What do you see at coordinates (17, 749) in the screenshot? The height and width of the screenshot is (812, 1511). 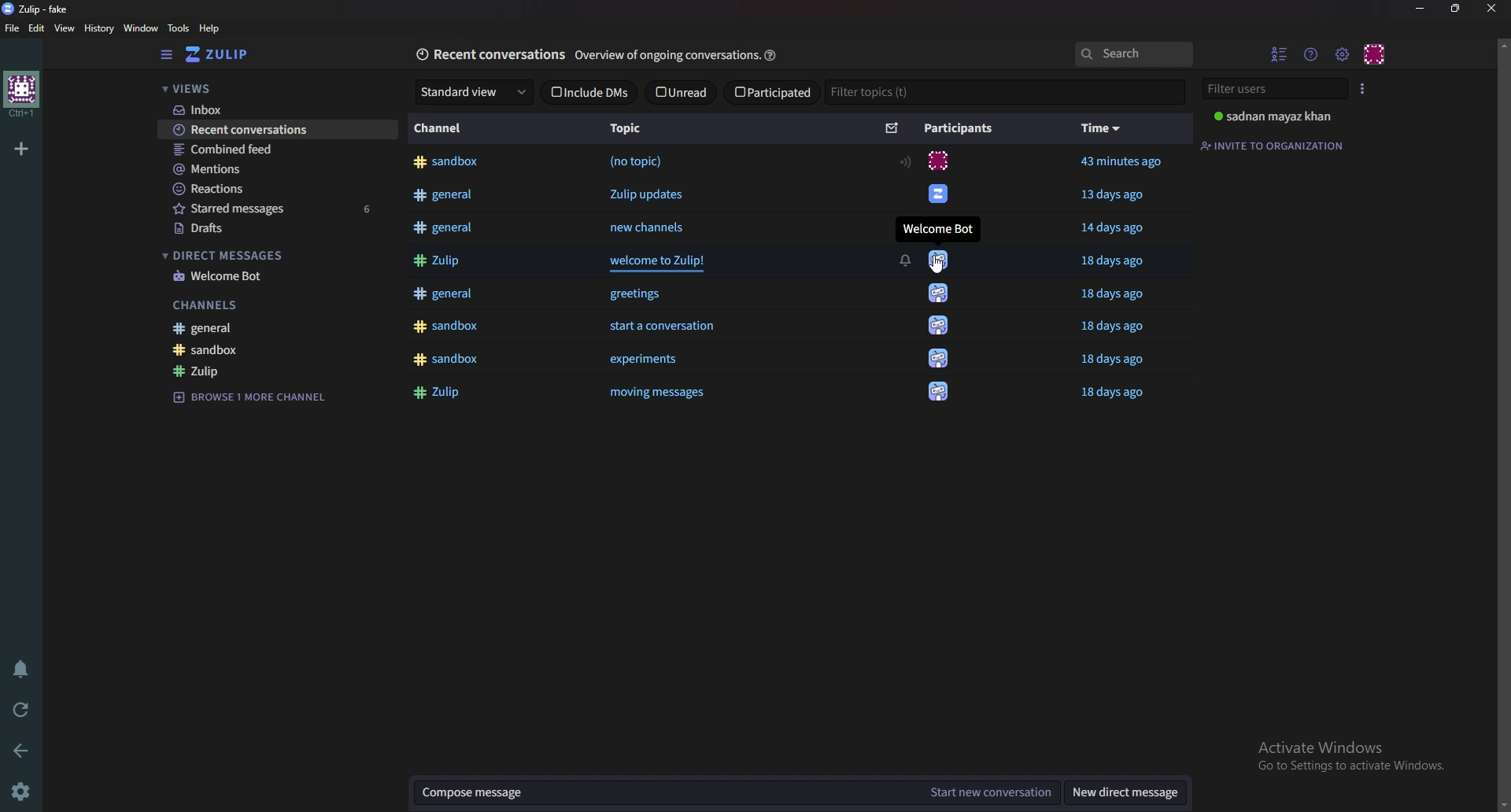 I see `back` at bounding box center [17, 749].